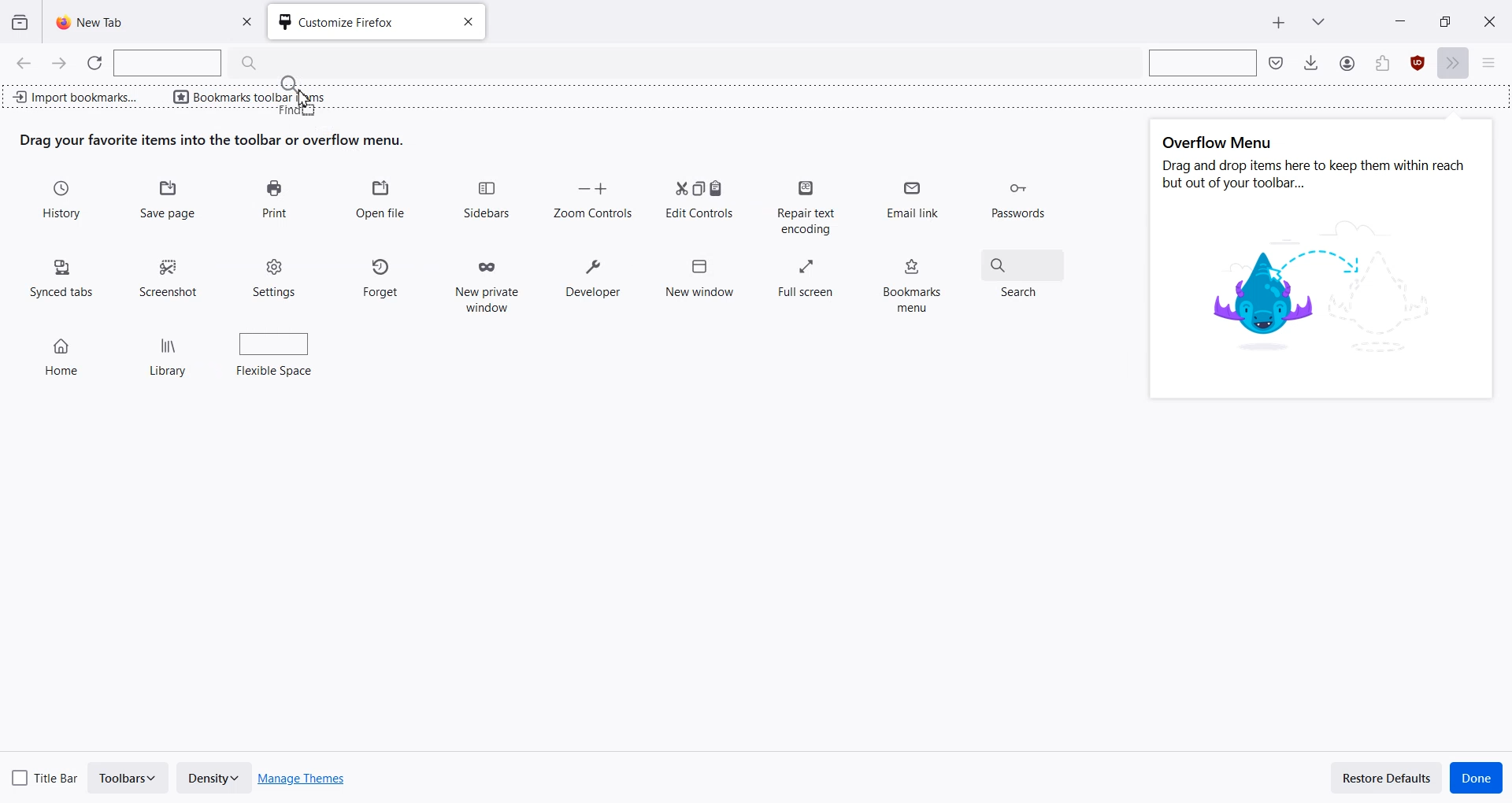 This screenshot has height=803, width=1512. What do you see at coordinates (485, 281) in the screenshot?
I see `New private window` at bounding box center [485, 281].